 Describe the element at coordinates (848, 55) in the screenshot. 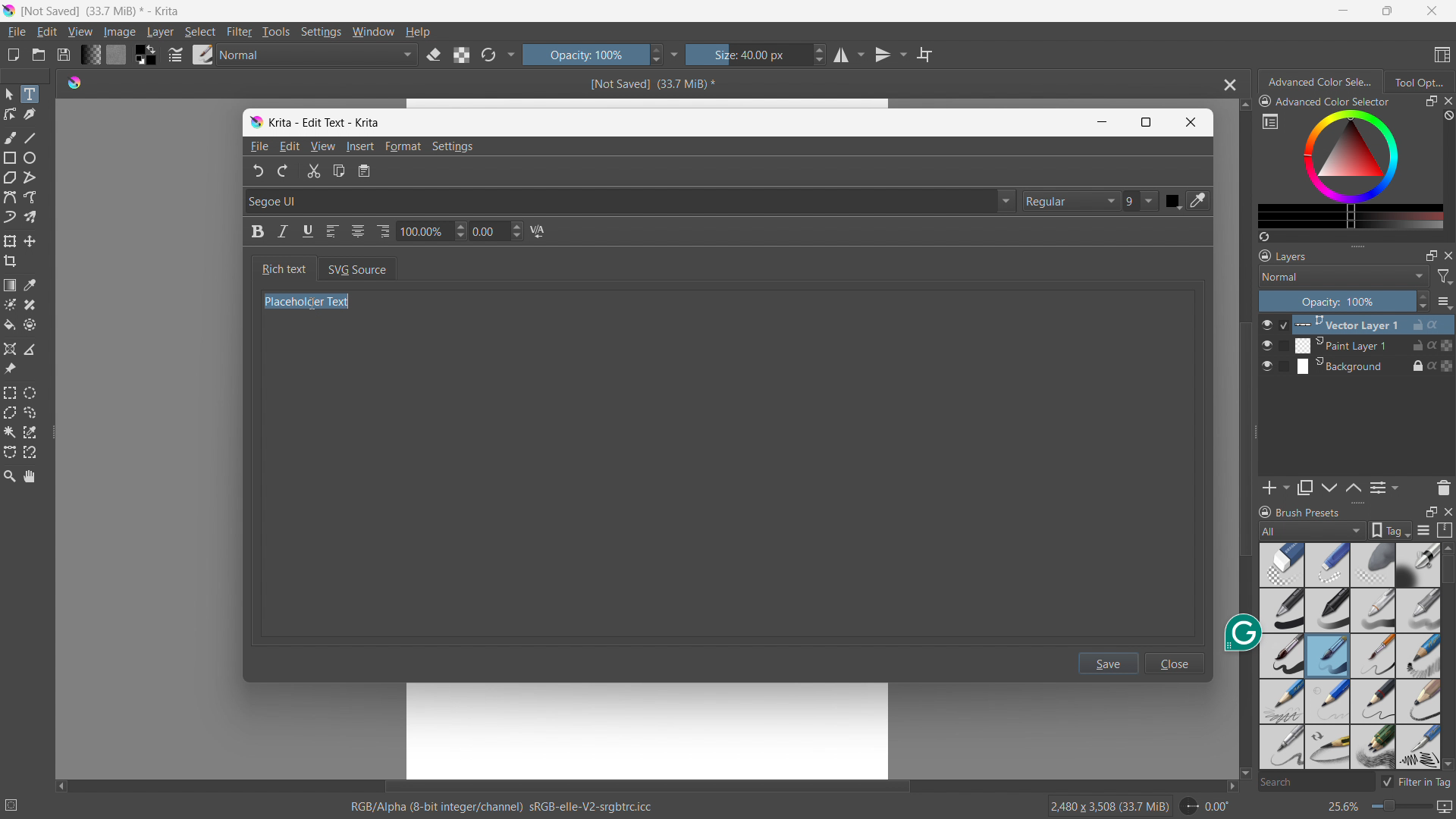

I see `horizontal mirror tool` at that location.